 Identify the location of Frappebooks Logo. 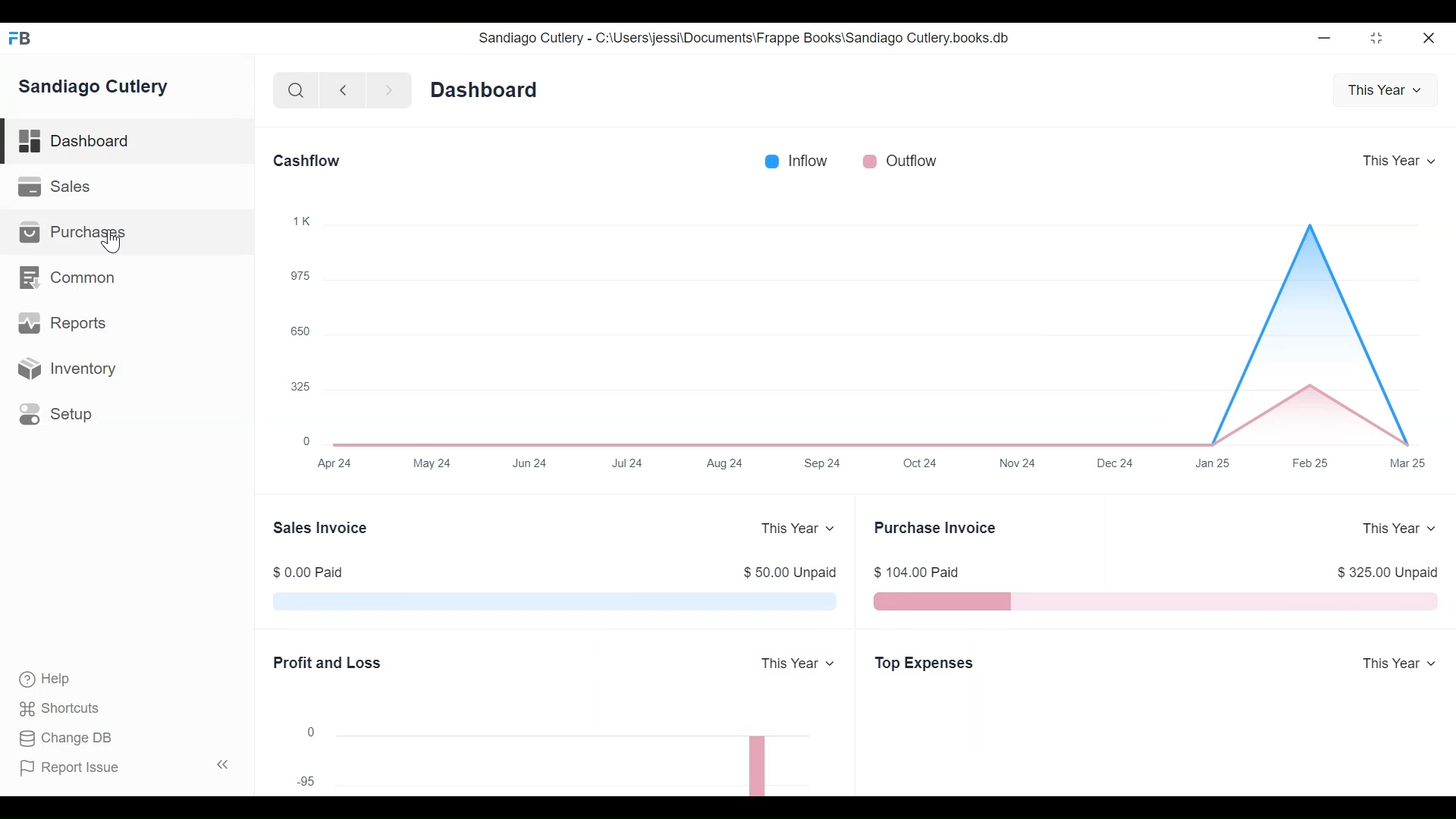
(24, 35).